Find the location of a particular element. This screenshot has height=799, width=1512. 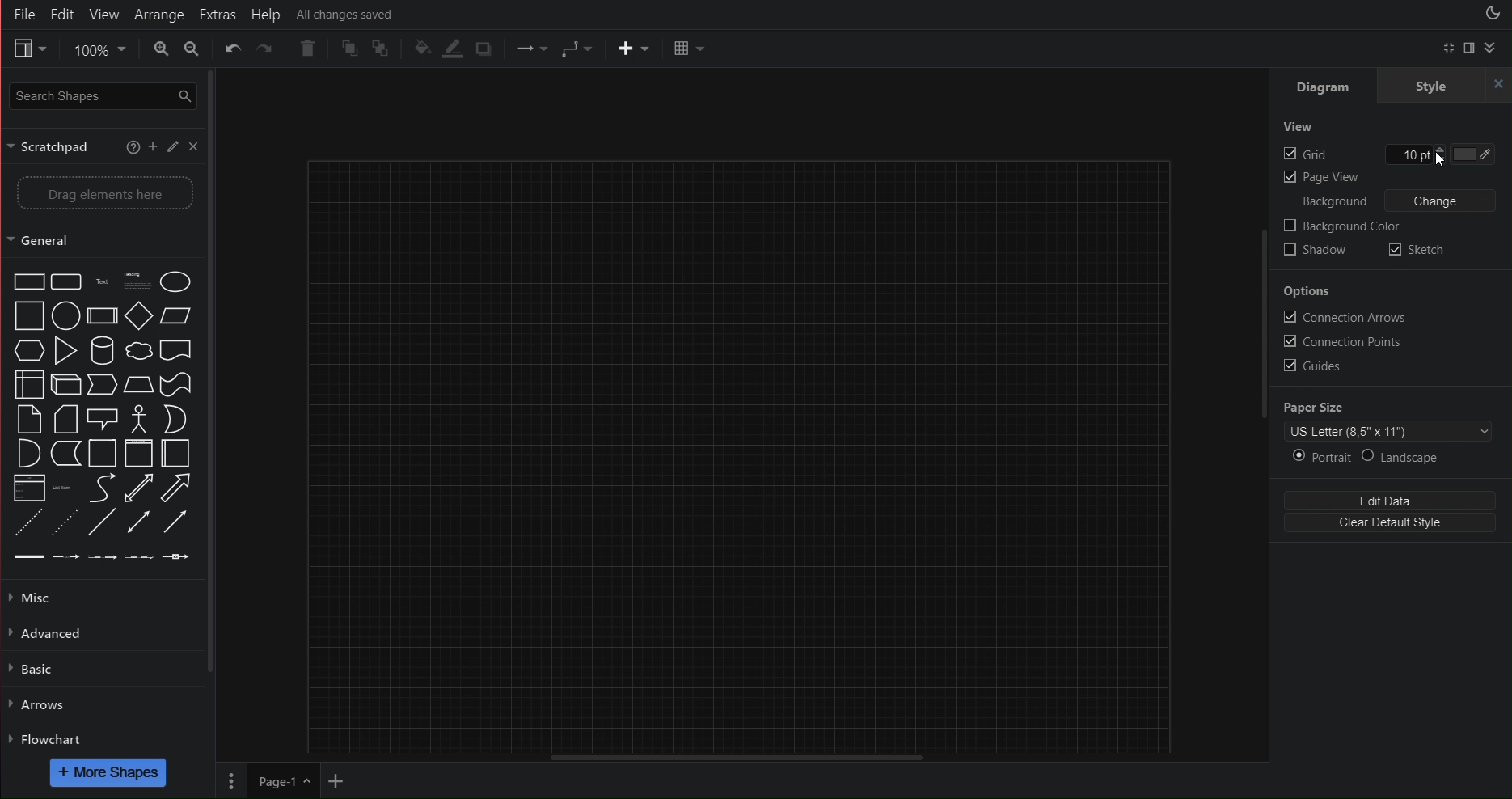

Delete is located at coordinates (306, 49).